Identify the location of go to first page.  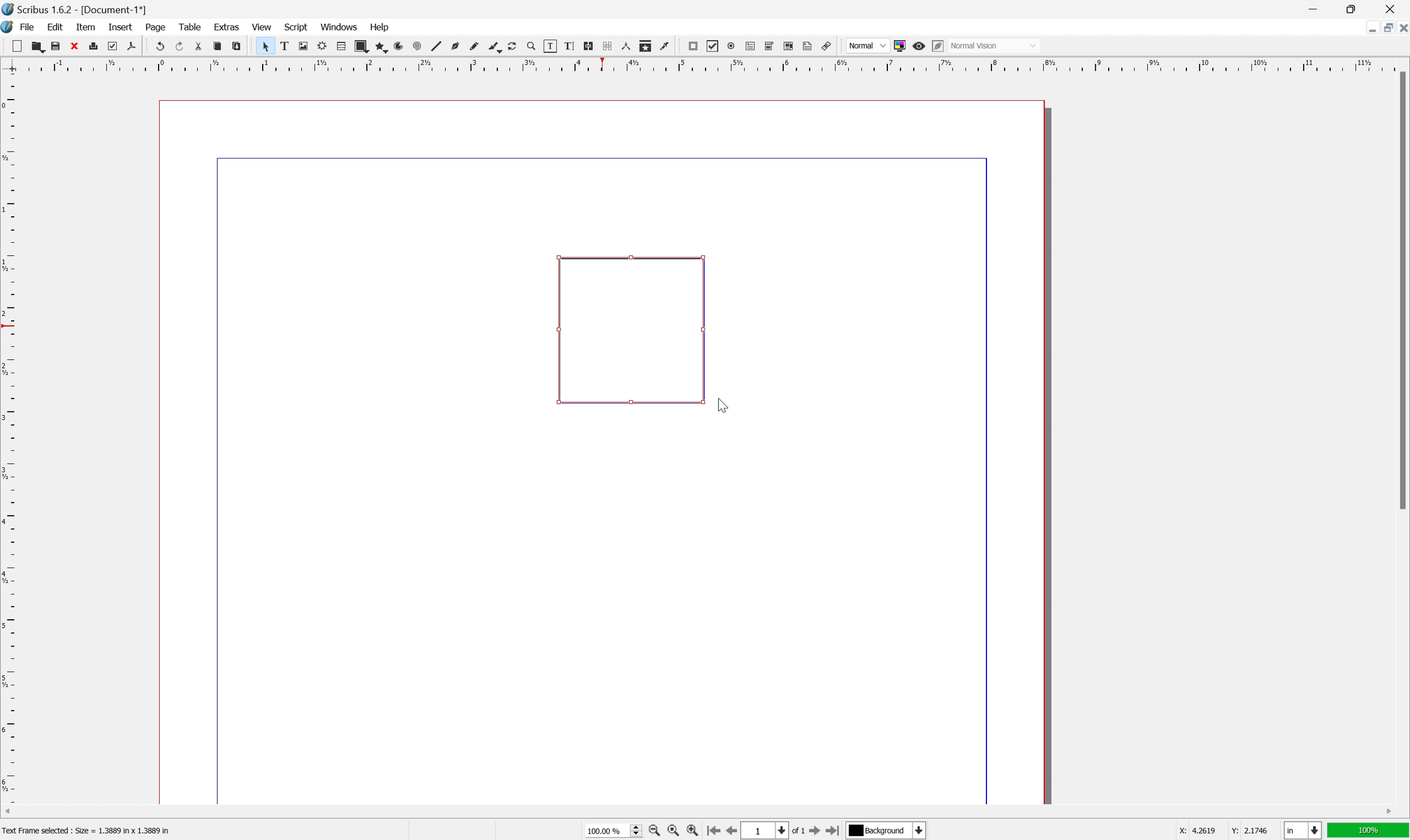
(713, 832).